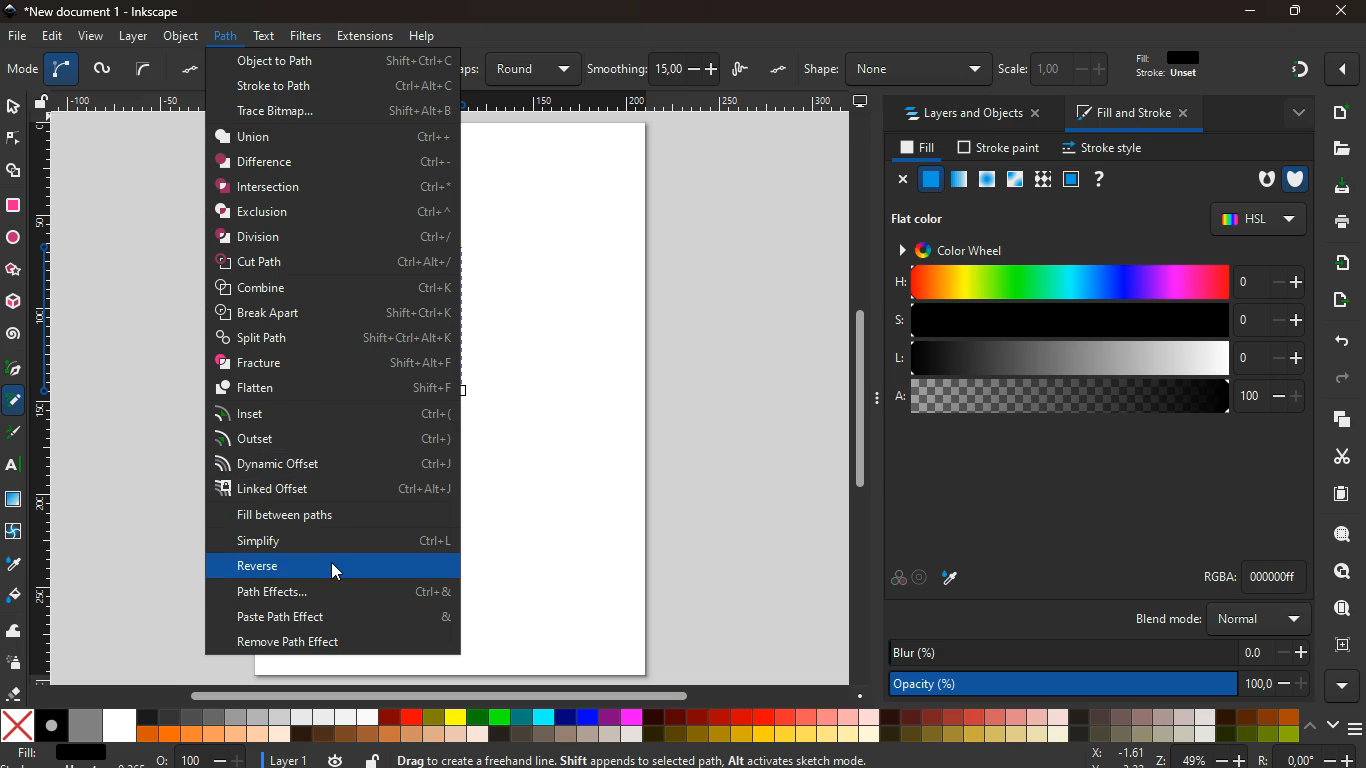 The width and height of the screenshot is (1366, 768). I want to click on color, so click(651, 727).